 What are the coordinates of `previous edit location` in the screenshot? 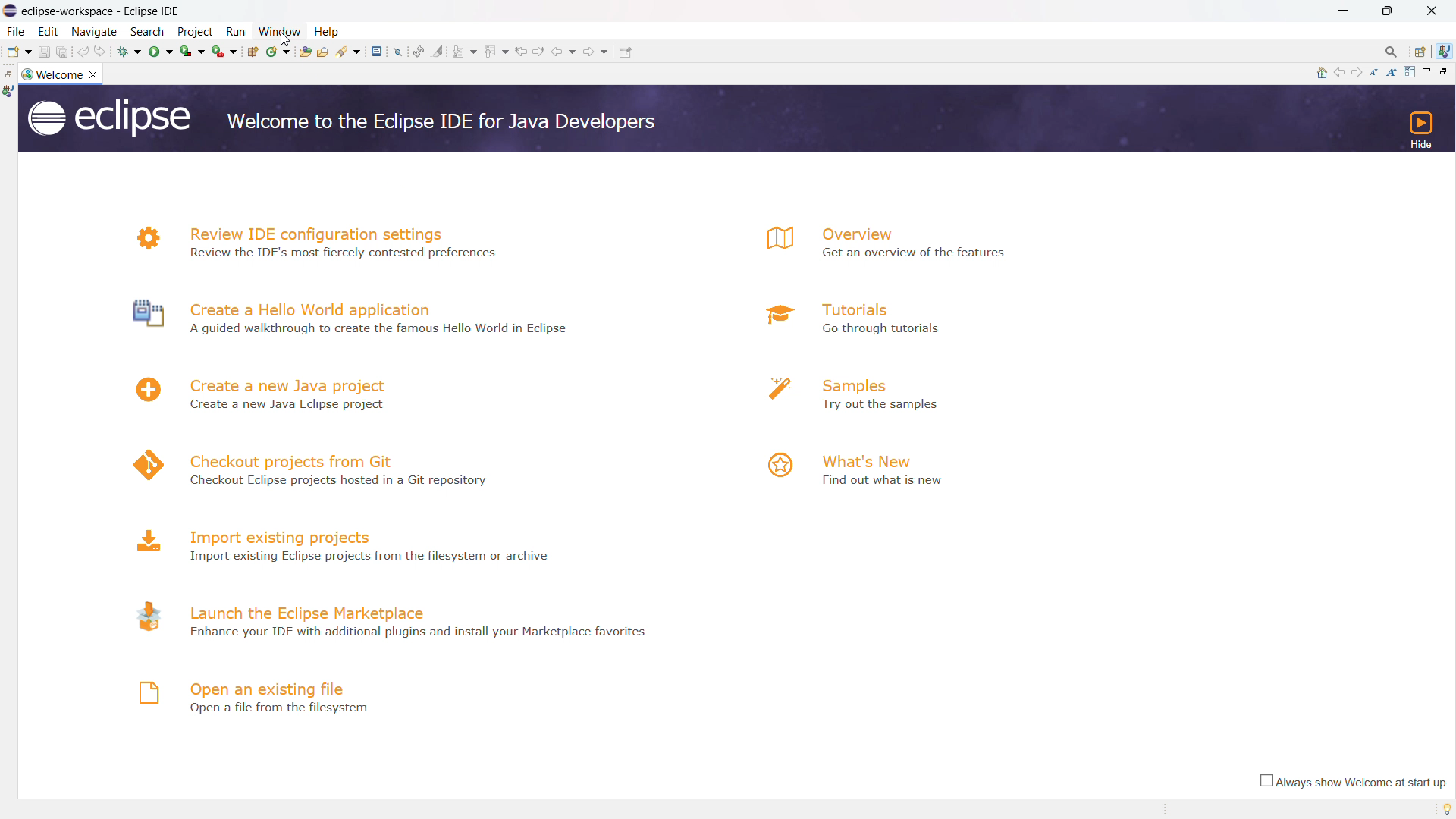 It's located at (521, 52).